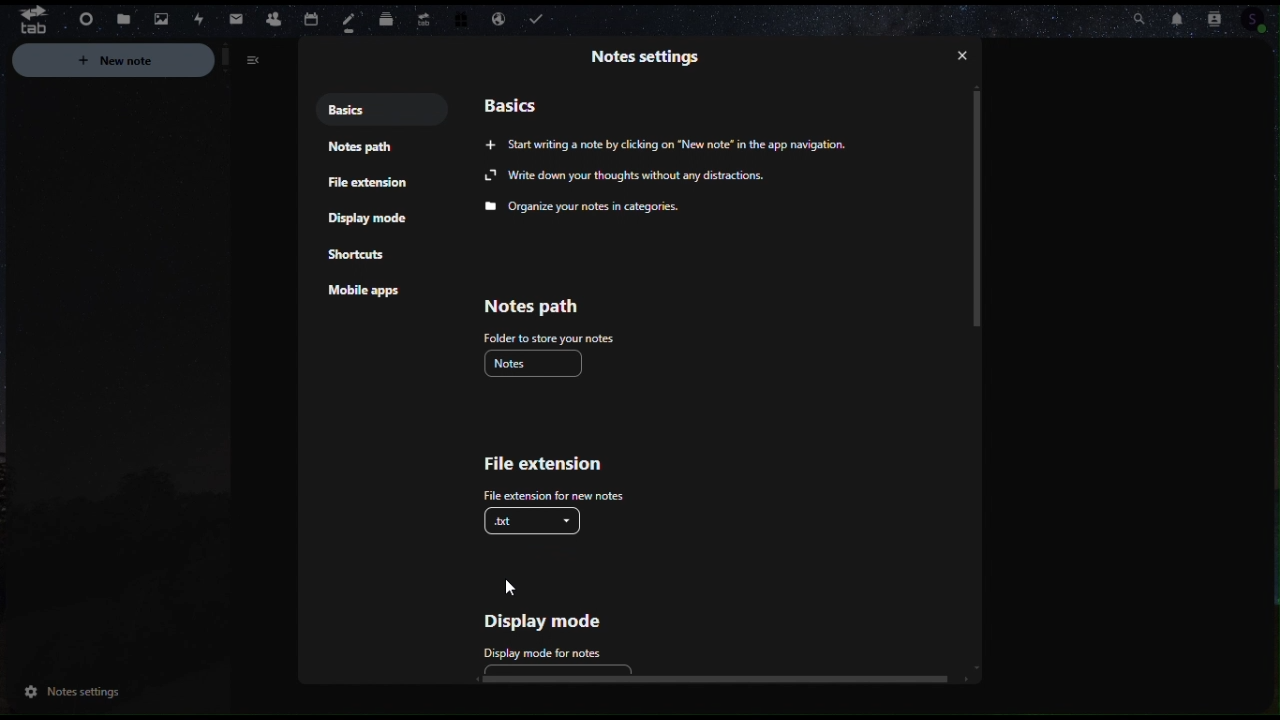 The height and width of the screenshot is (720, 1280). I want to click on Free trial, so click(459, 20).